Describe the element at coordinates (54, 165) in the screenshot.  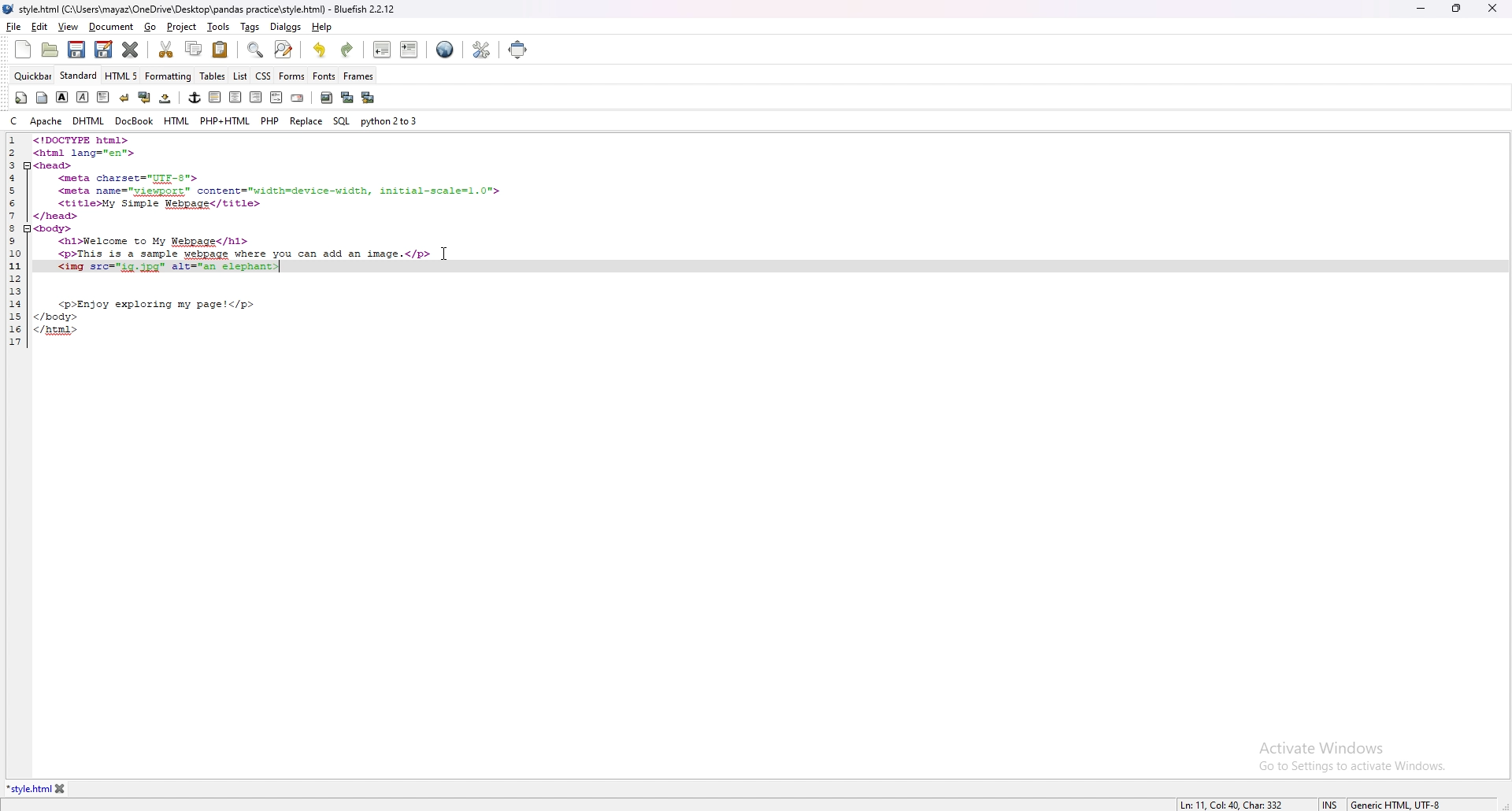
I see `<head>` at that location.